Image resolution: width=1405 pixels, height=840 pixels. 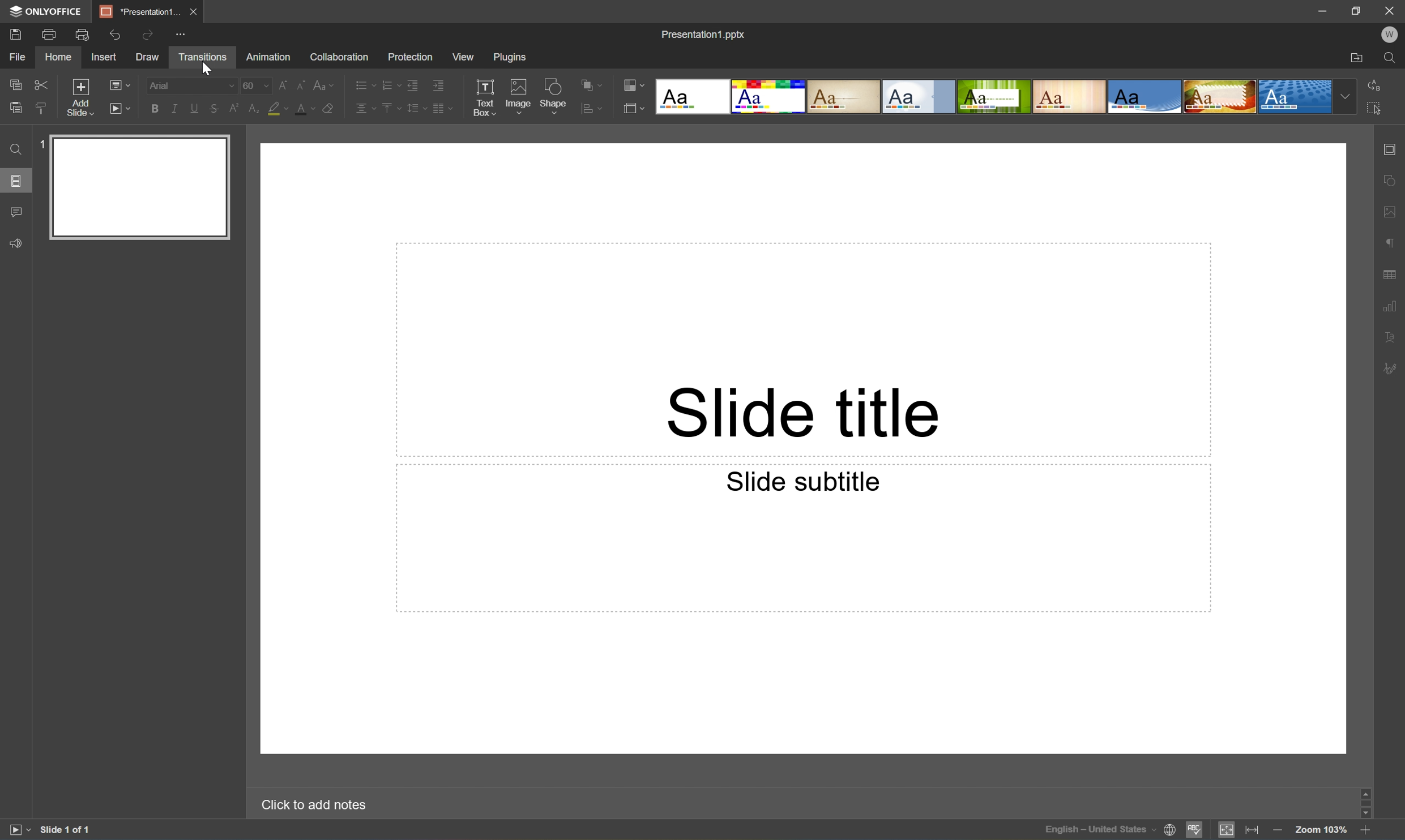 What do you see at coordinates (514, 57) in the screenshot?
I see `Plugins` at bounding box center [514, 57].